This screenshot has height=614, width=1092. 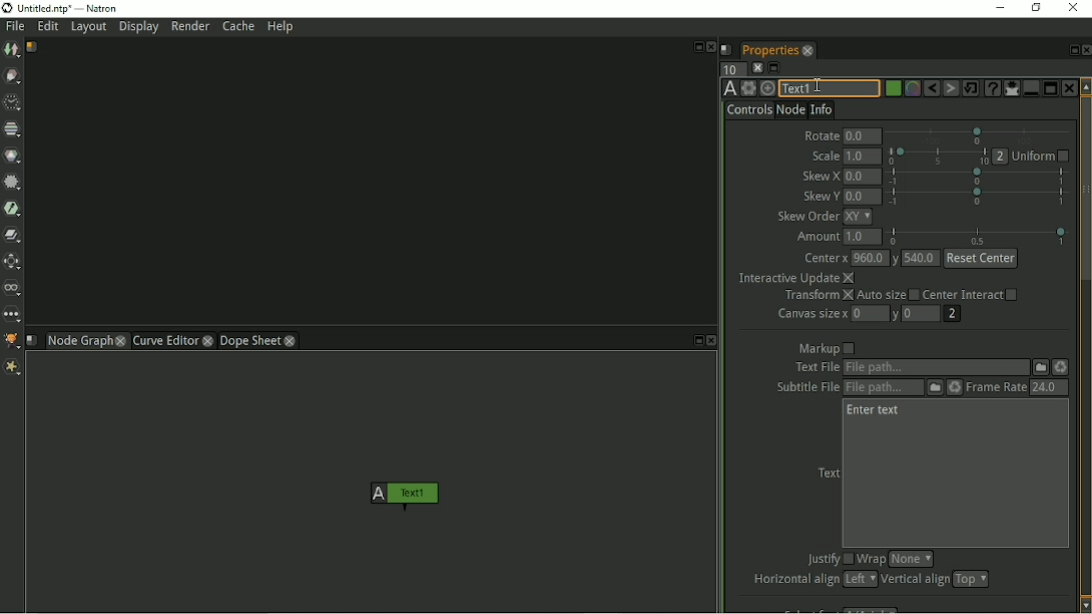 I want to click on Rotate, so click(x=820, y=133).